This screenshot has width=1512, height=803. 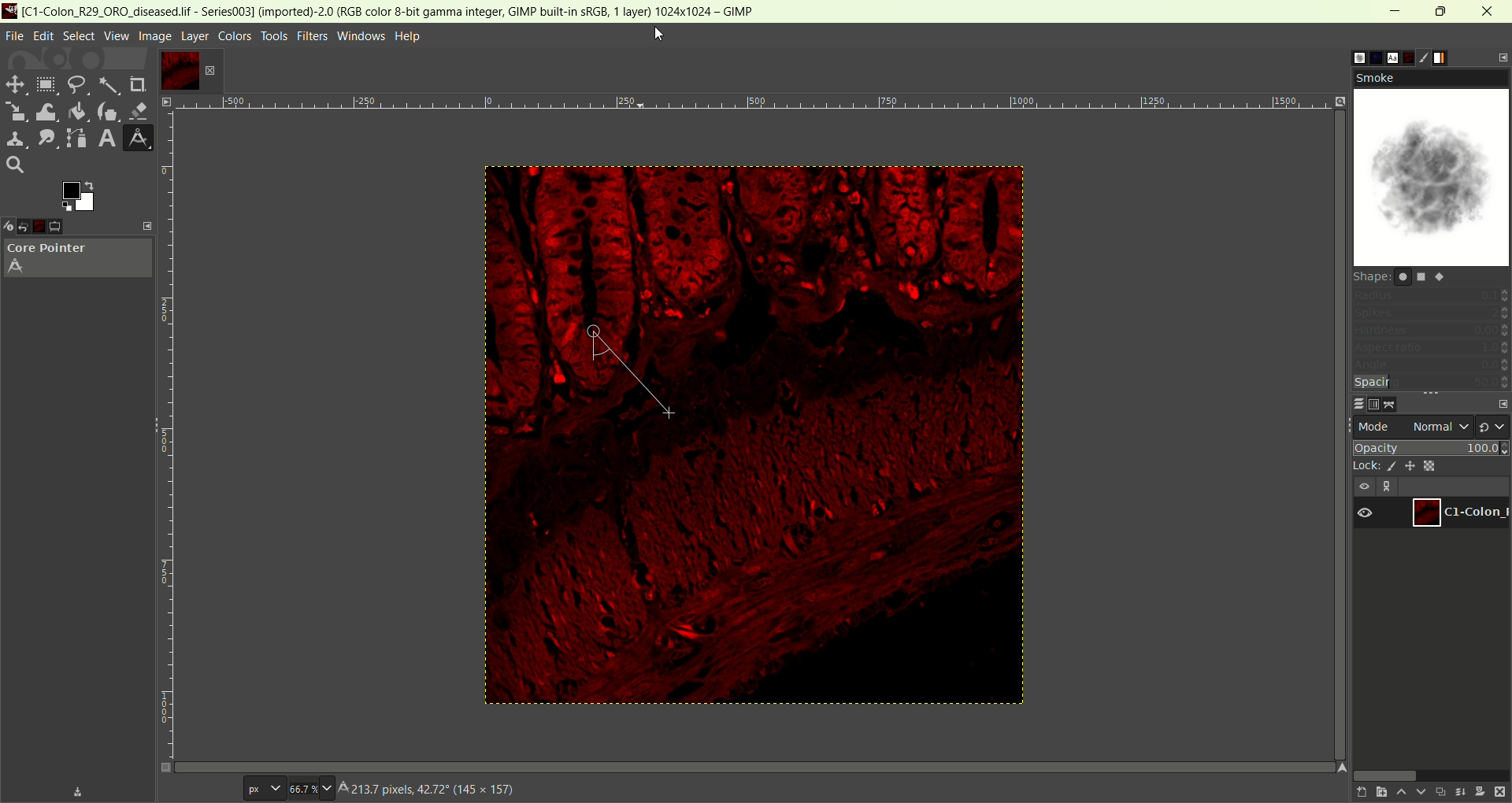 What do you see at coordinates (1388, 467) in the screenshot?
I see `lock pixel` at bounding box center [1388, 467].